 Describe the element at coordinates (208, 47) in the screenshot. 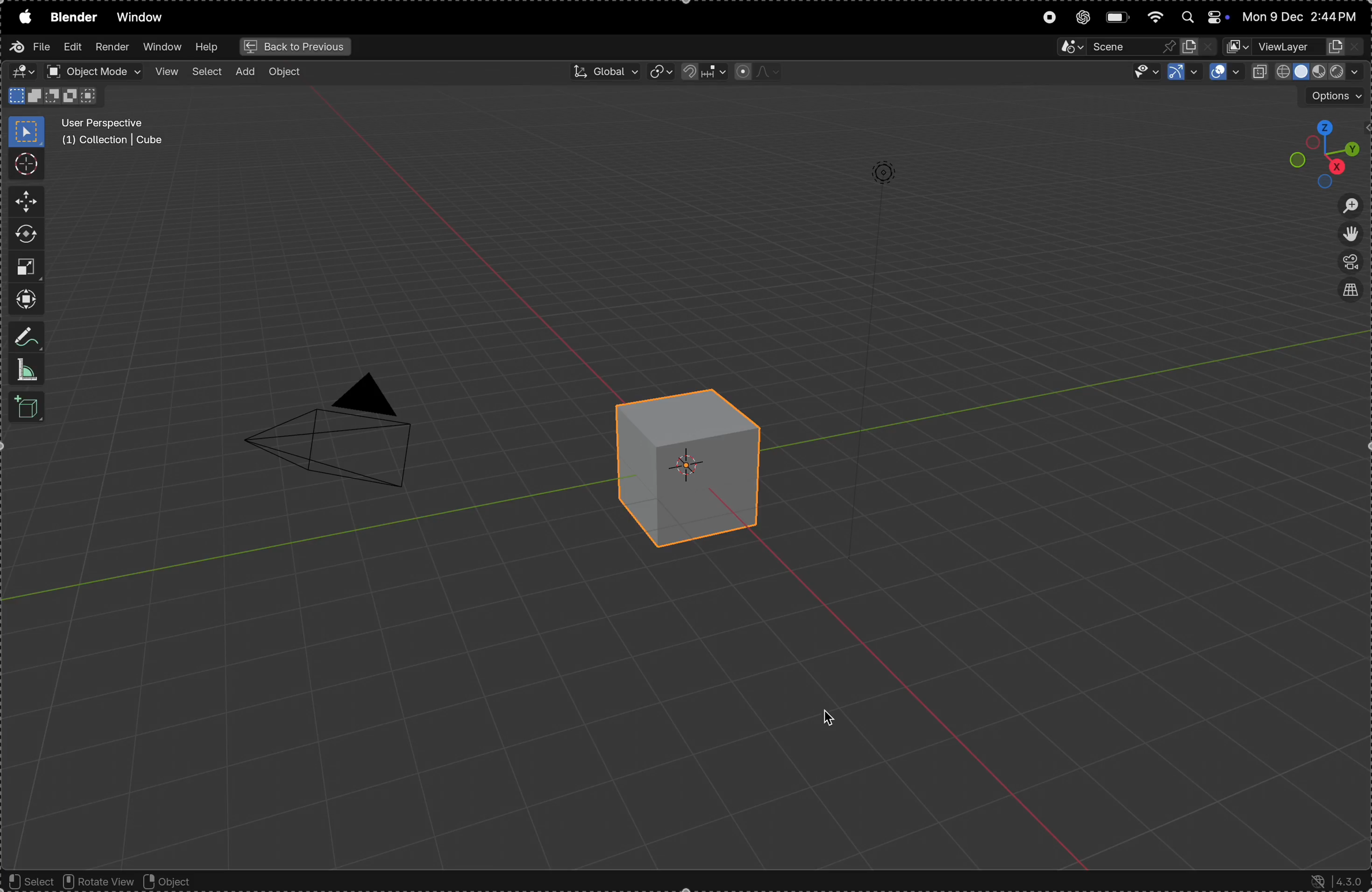

I see `help` at that location.